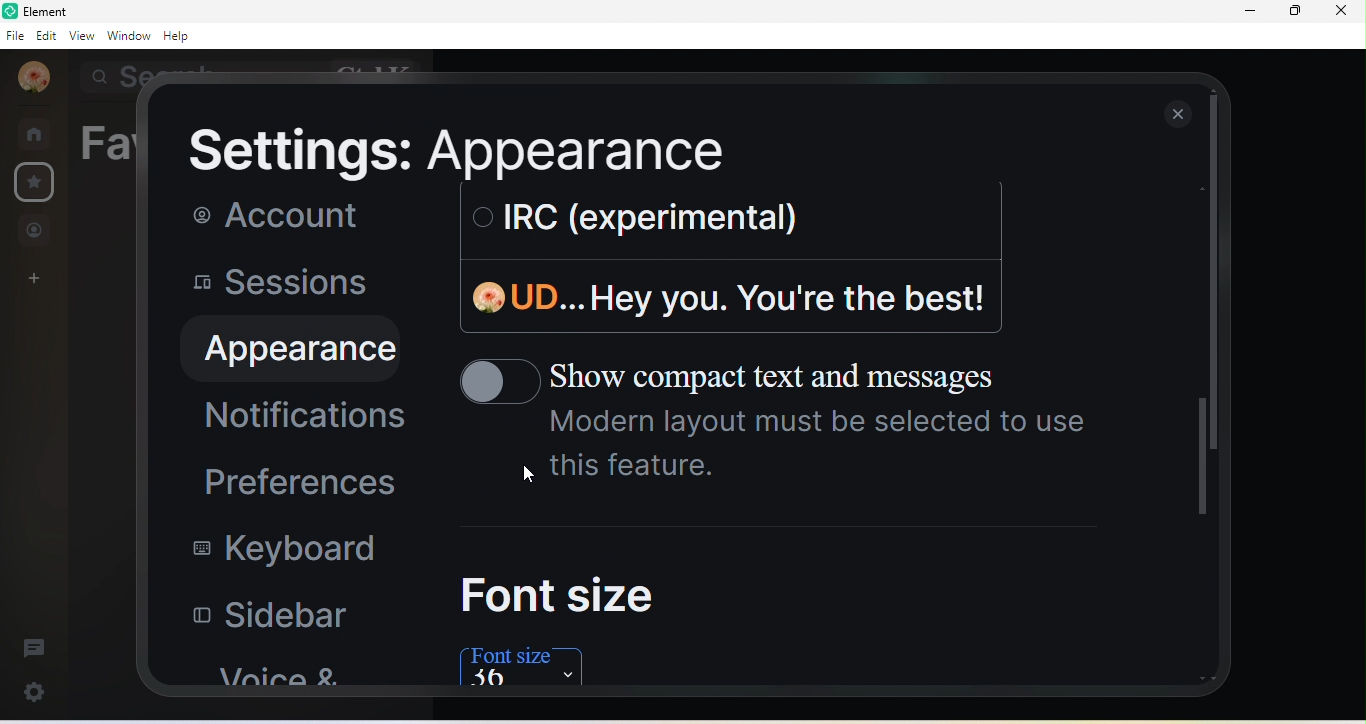  What do you see at coordinates (38, 690) in the screenshot?
I see `quick settings` at bounding box center [38, 690].